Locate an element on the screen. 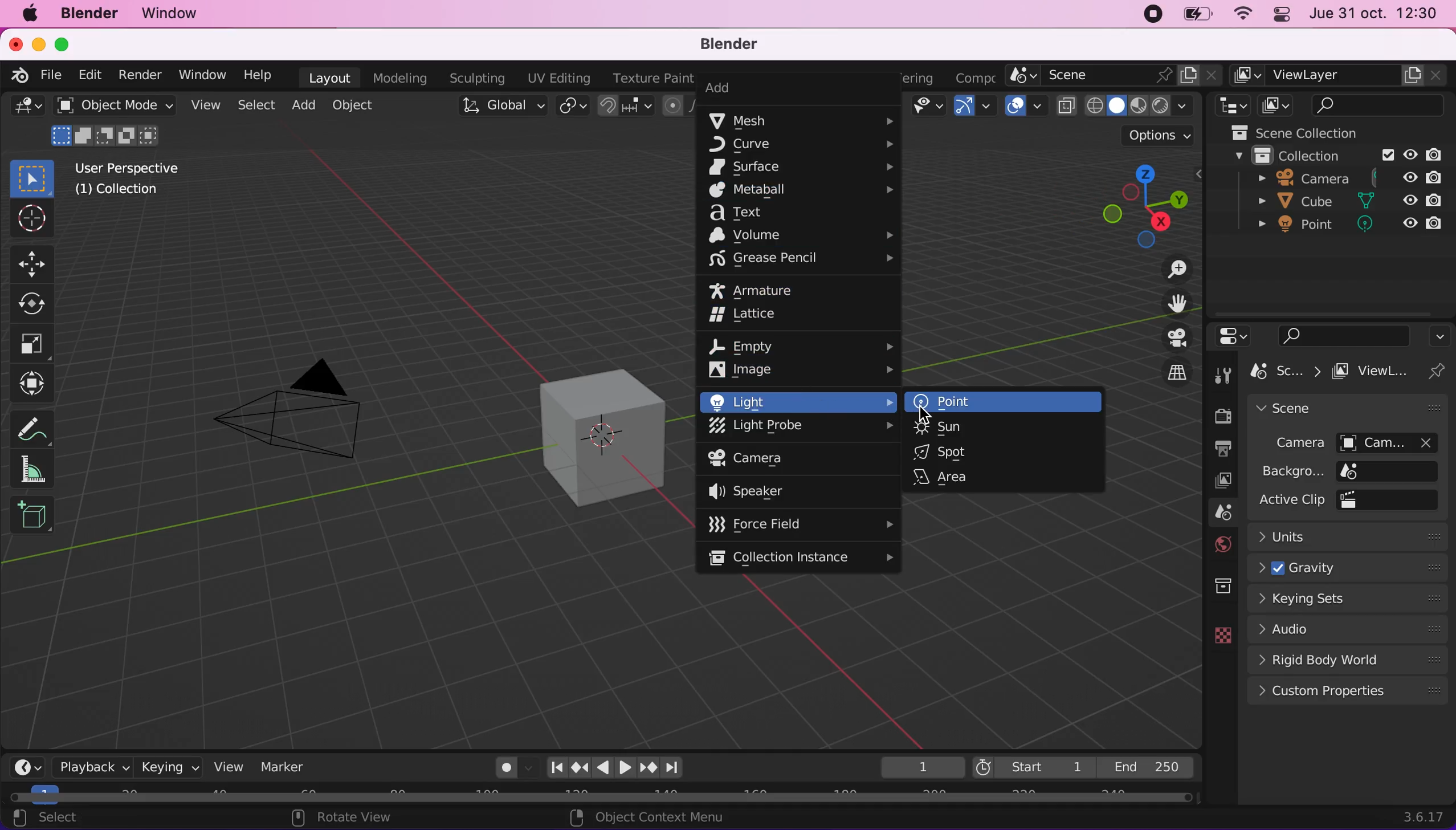 This screenshot has height=830, width=1456. rotate is located at coordinates (34, 303).